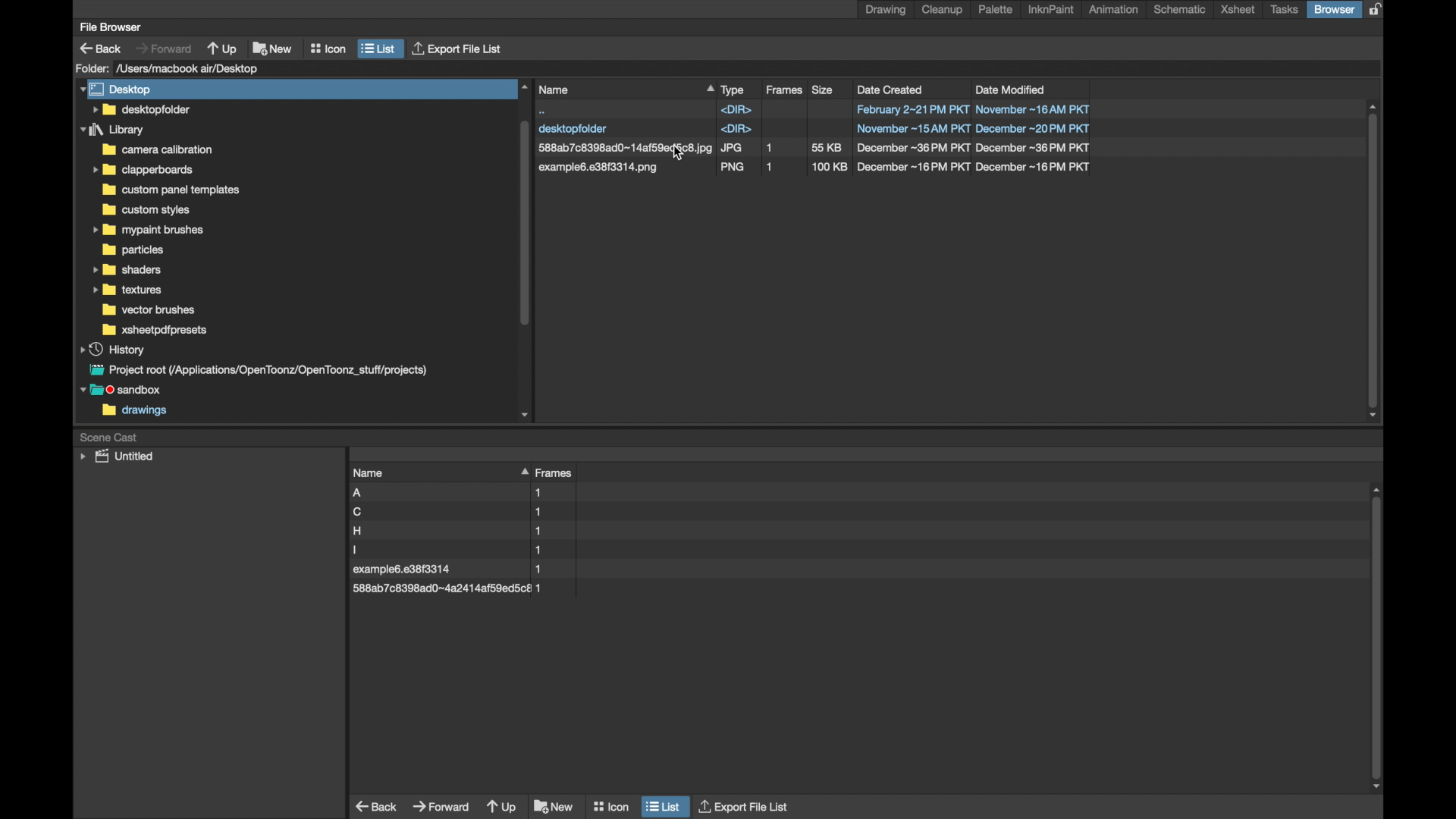 The width and height of the screenshot is (1456, 819). Describe the element at coordinates (1051, 10) in the screenshot. I see `inknpaint ` at that location.